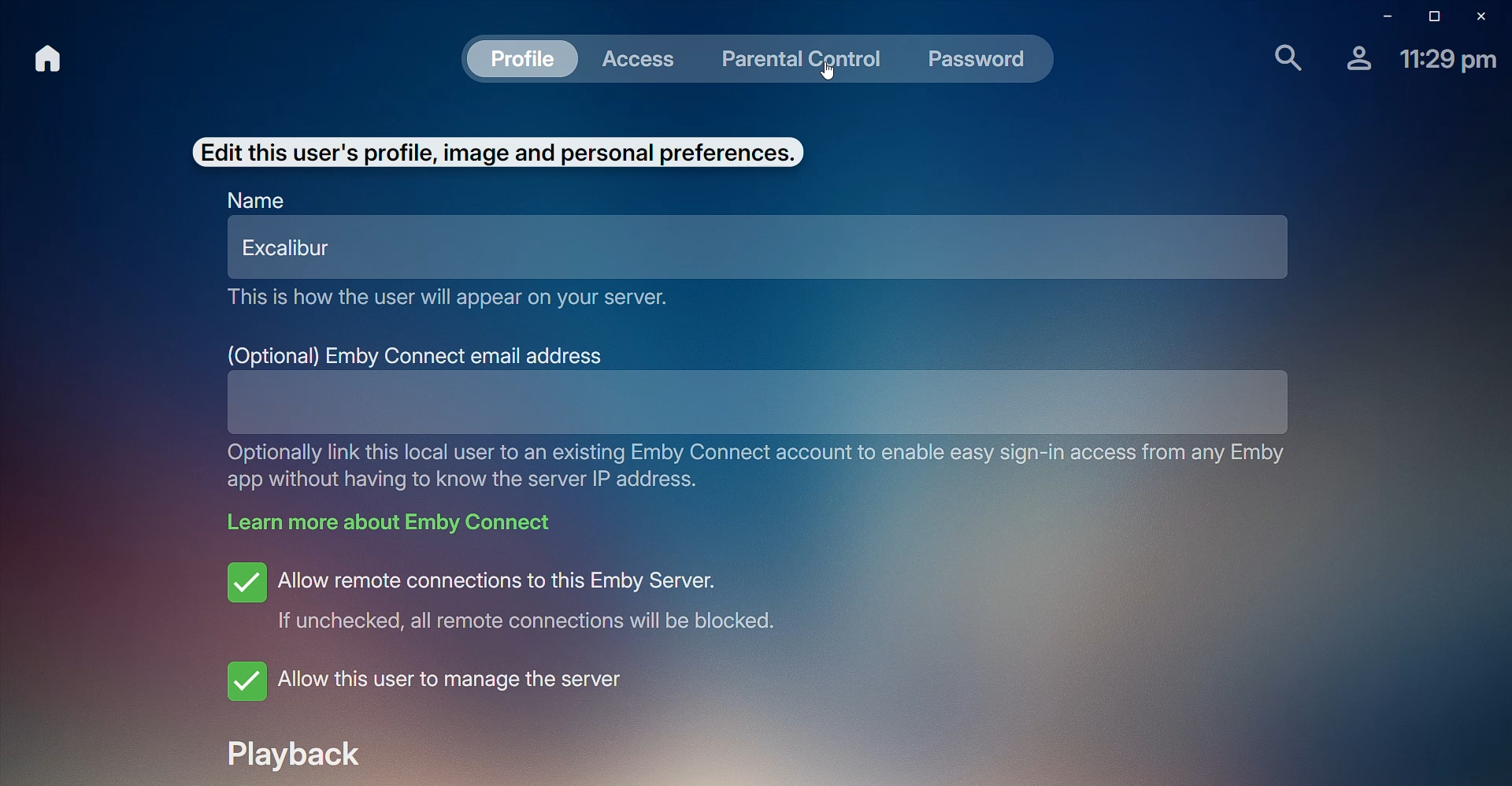 The image size is (1512, 786). What do you see at coordinates (1485, 15) in the screenshot?
I see `Close` at bounding box center [1485, 15].